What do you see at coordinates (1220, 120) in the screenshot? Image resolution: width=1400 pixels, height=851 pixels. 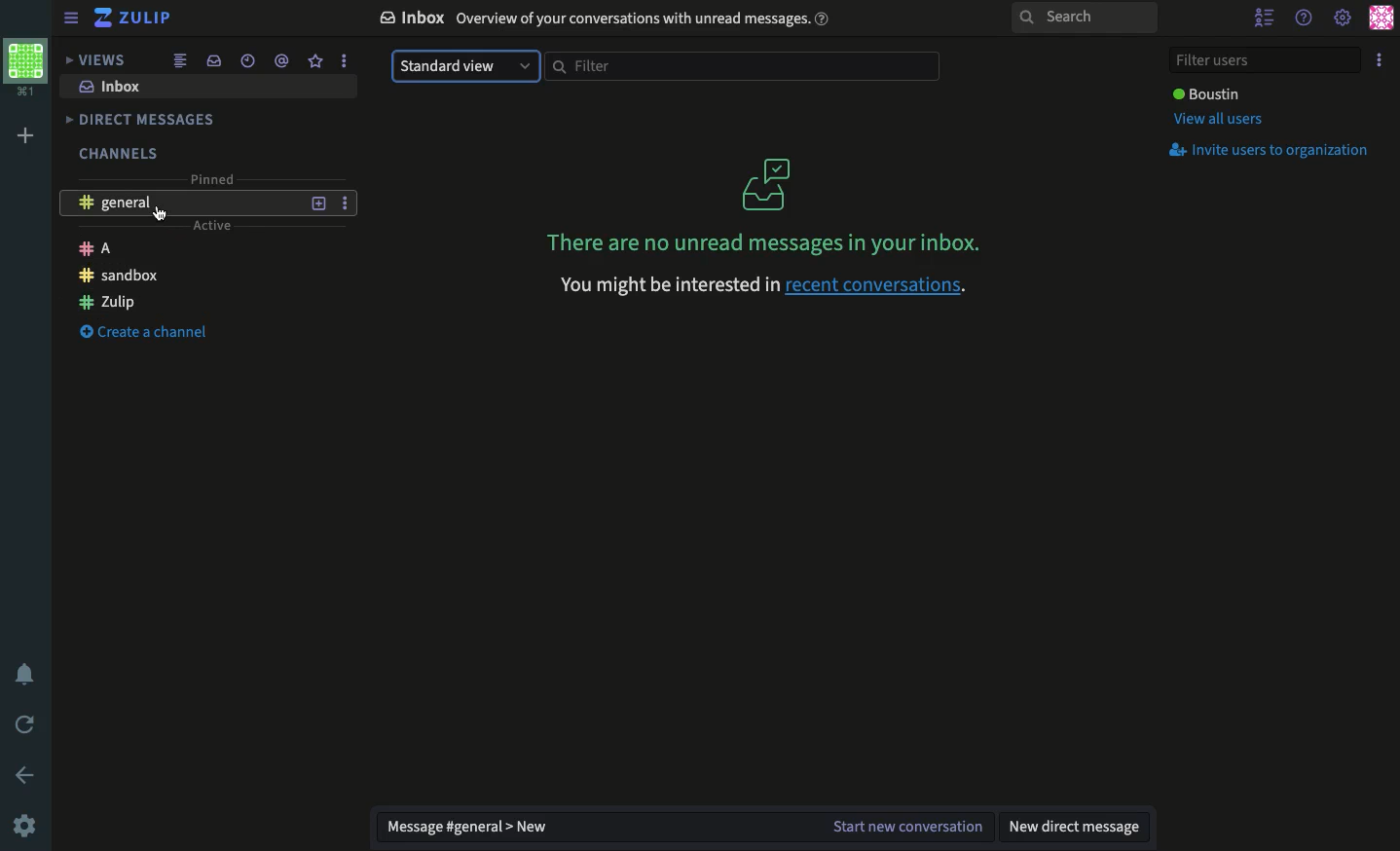 I see `View all users` at bounding box center [1220, 120].